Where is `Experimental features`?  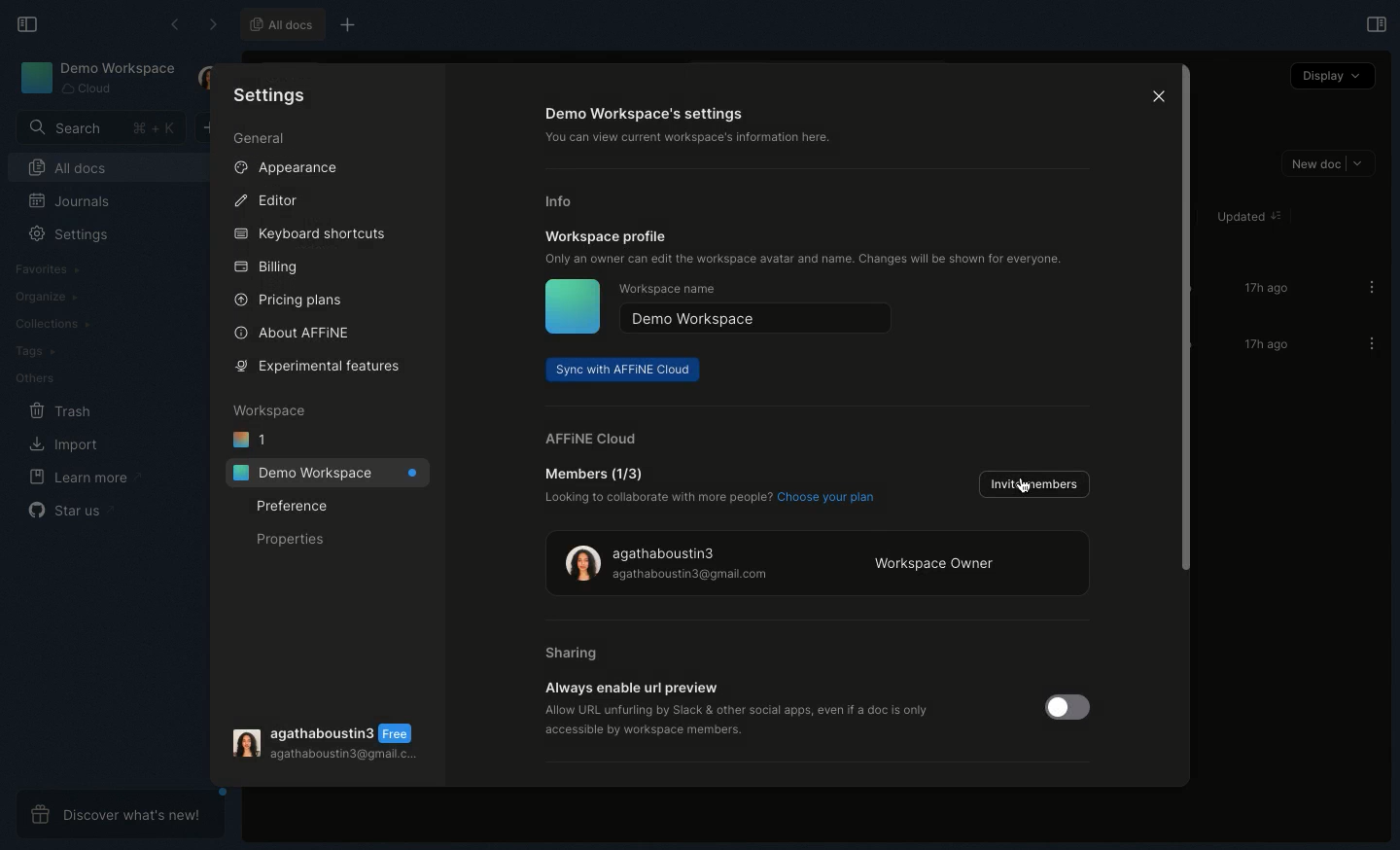
Experimental features is located at coordinates (318, 367).